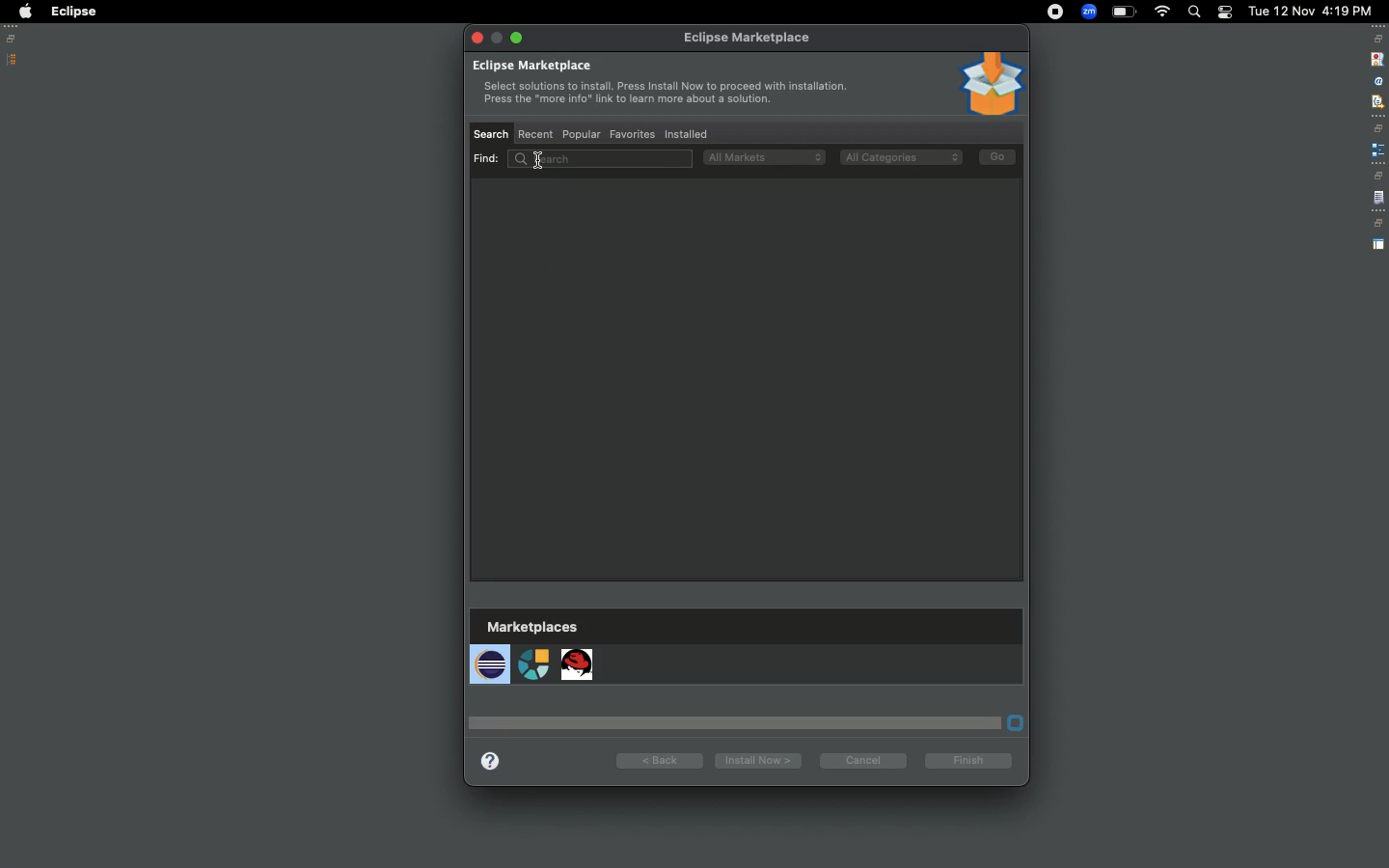 This screenshot has width=1389, height=868. I want to click on filter, so click(1376, 101).